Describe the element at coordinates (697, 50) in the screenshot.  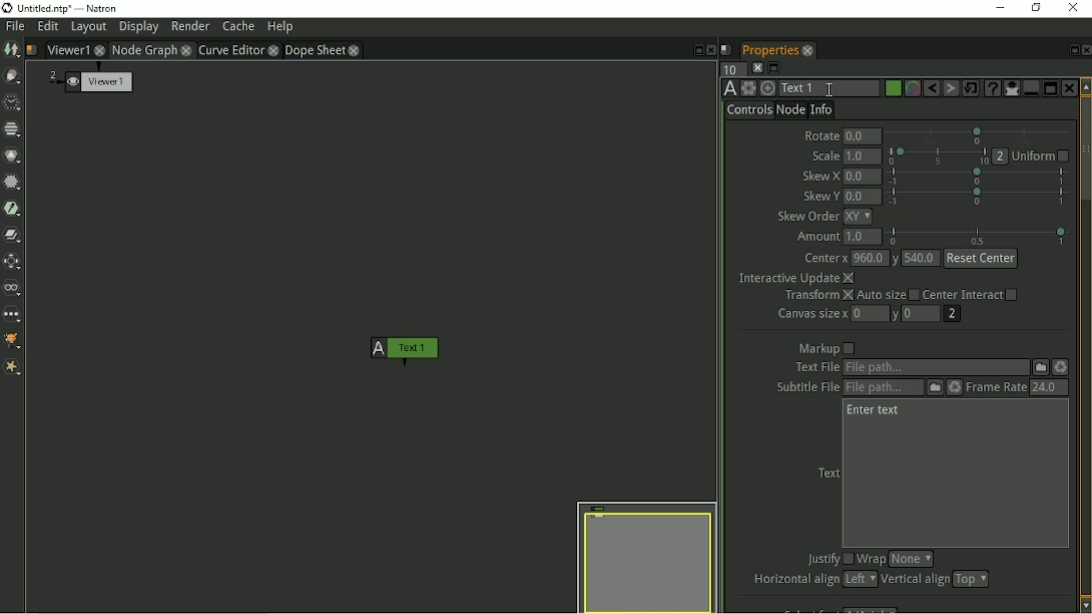
I see `Float pane` at that location.